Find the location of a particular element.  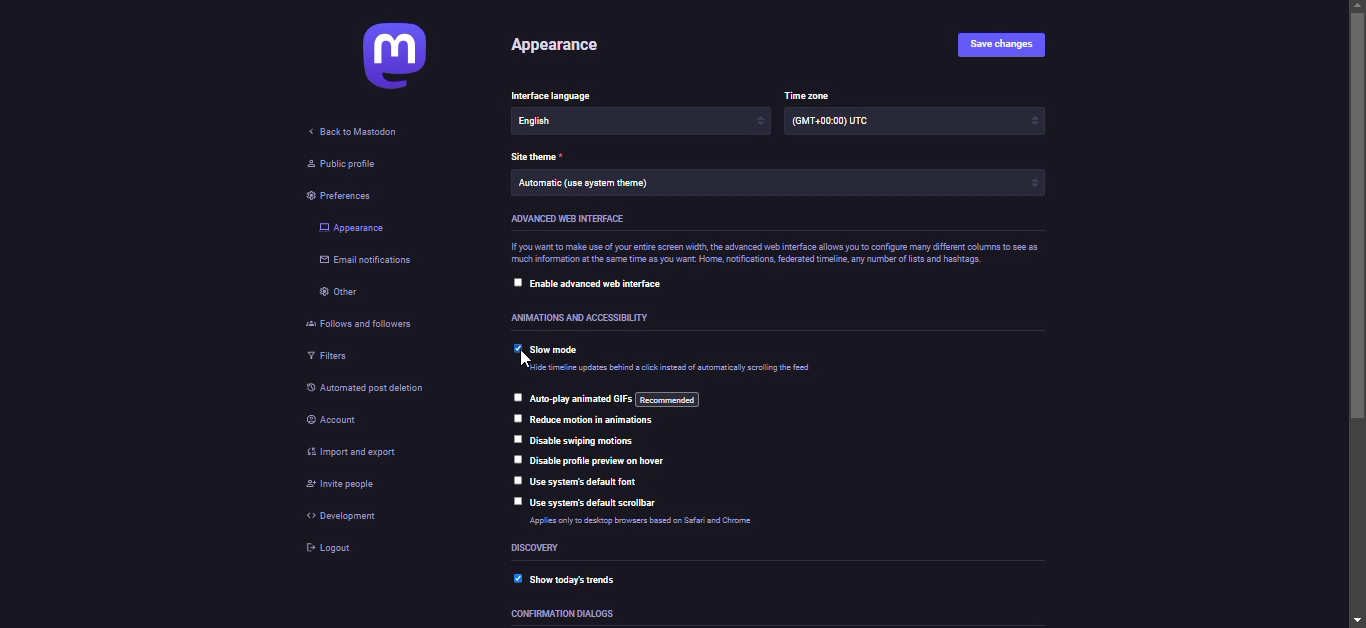

appearance is located at coordinates (553, 47).